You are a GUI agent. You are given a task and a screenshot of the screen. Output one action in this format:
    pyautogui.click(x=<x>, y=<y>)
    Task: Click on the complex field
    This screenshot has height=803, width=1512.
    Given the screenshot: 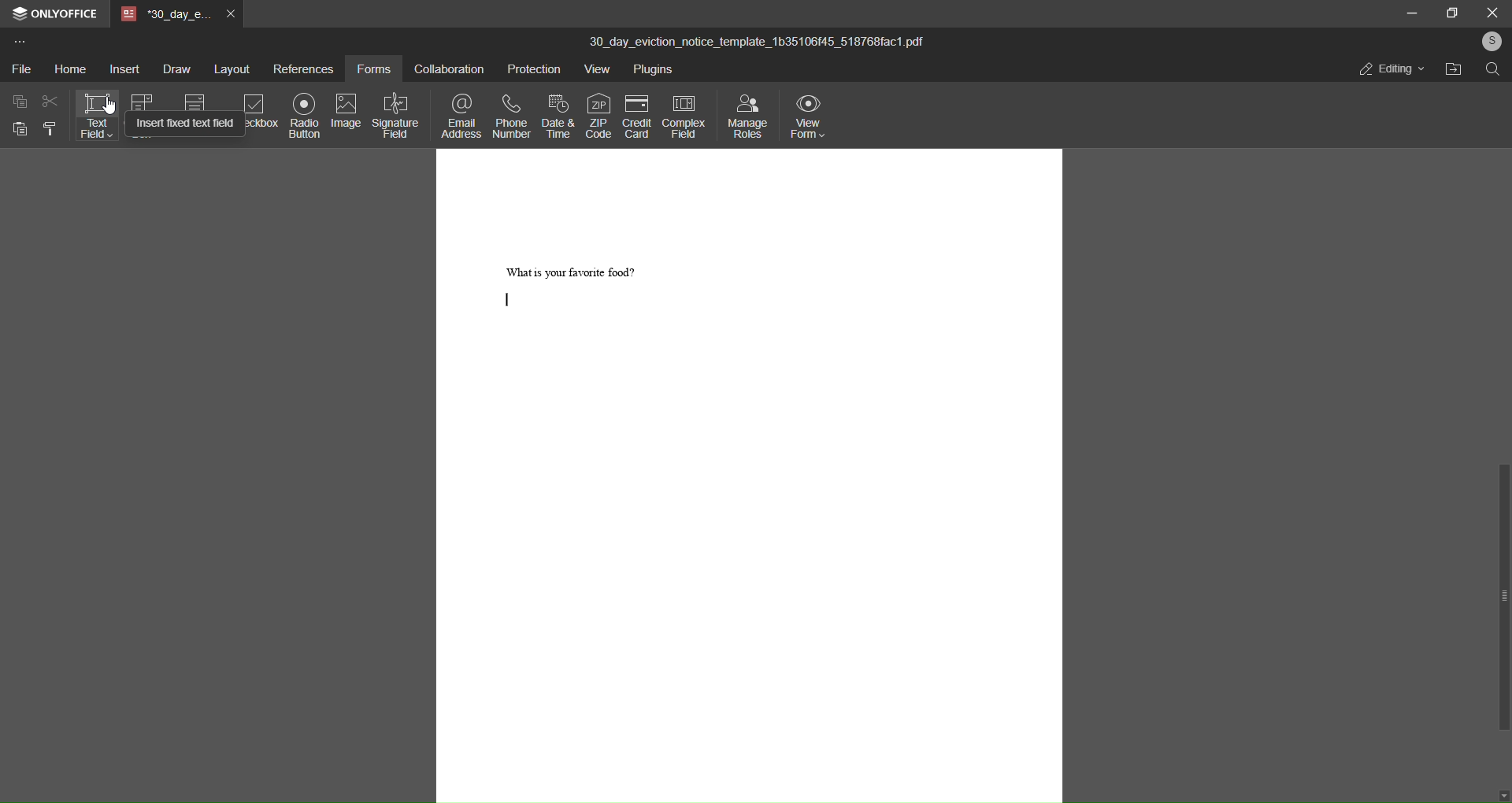 What is the action you would take?
    pyautogui.click(x=681, y=114)
    